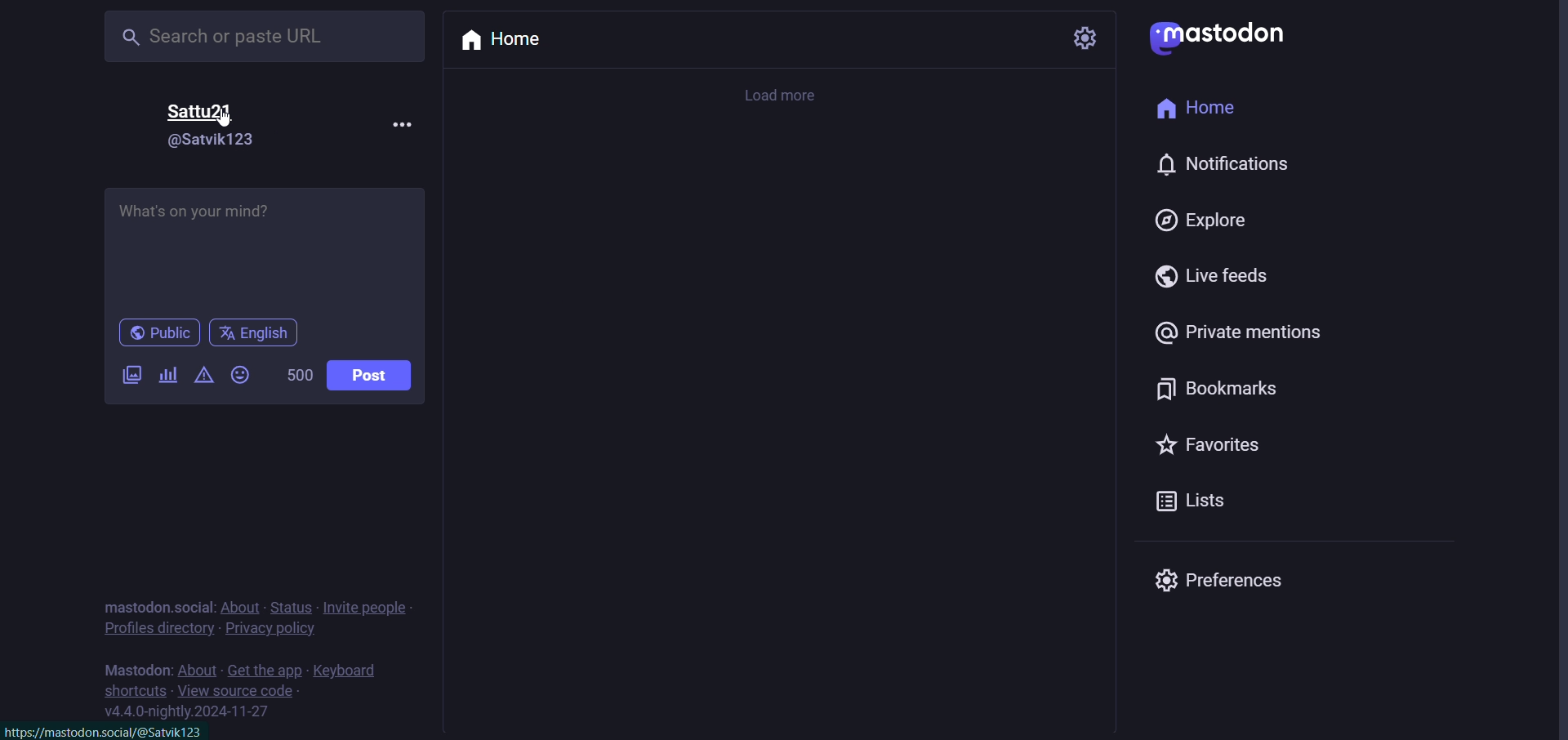 Image resolution: width=1568 pixels, height=740 pixels. What do you see at coordinates (156, 629) in the screenshot?
I see `Profiles directory` at bounding box center [156, 629].